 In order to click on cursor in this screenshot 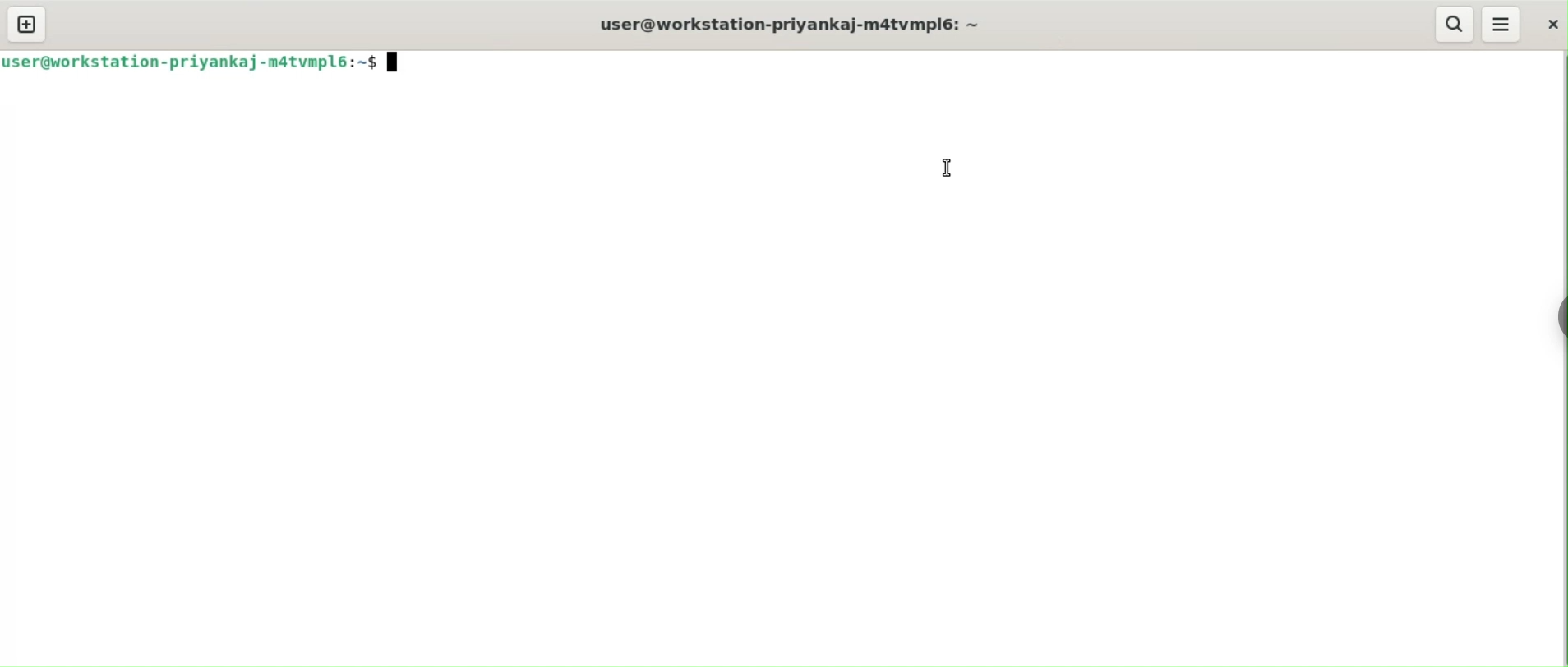, I will do `click(947, 168)`.